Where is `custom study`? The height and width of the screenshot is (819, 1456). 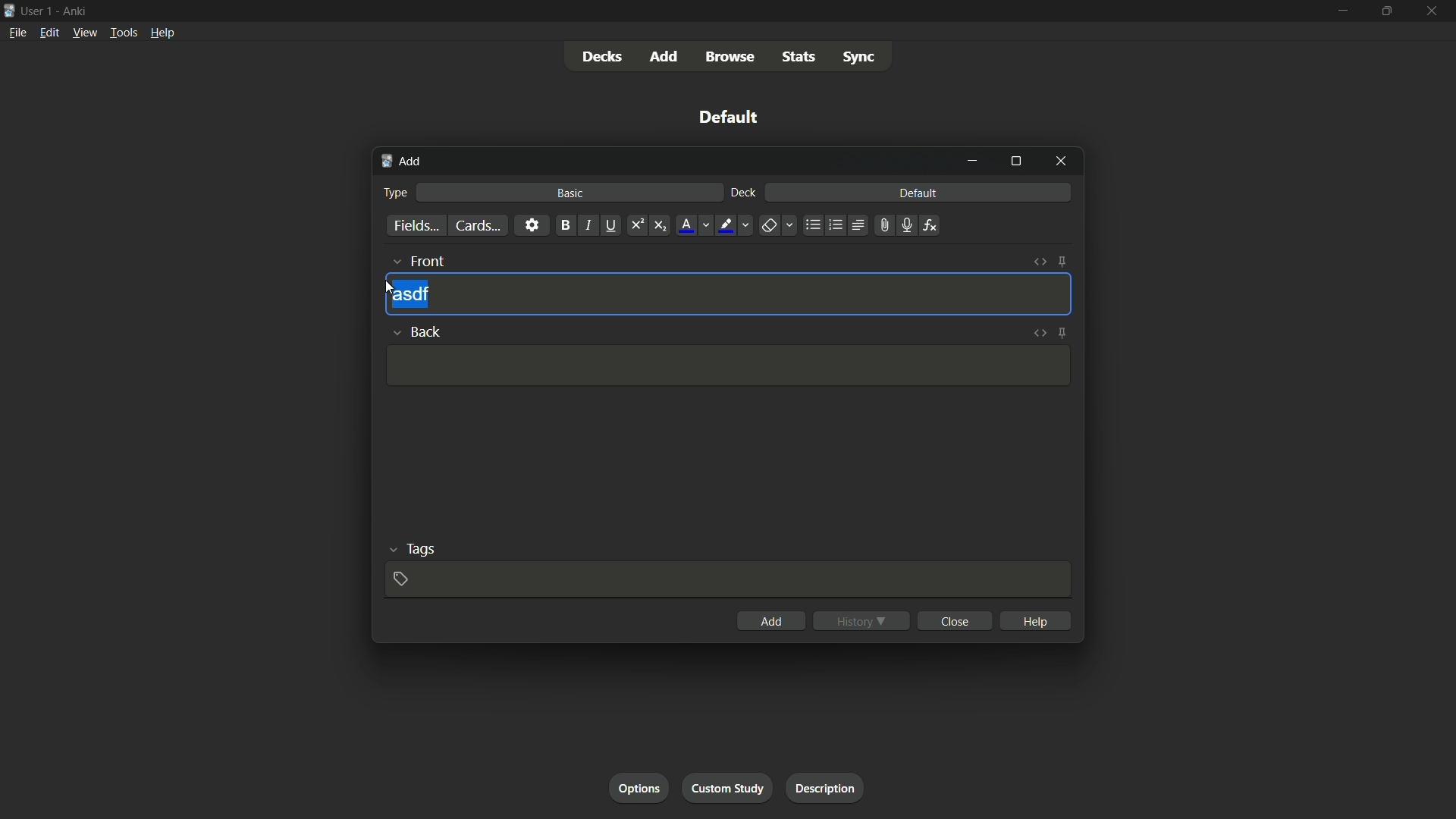
custom study is located at coordinates (726, 788).